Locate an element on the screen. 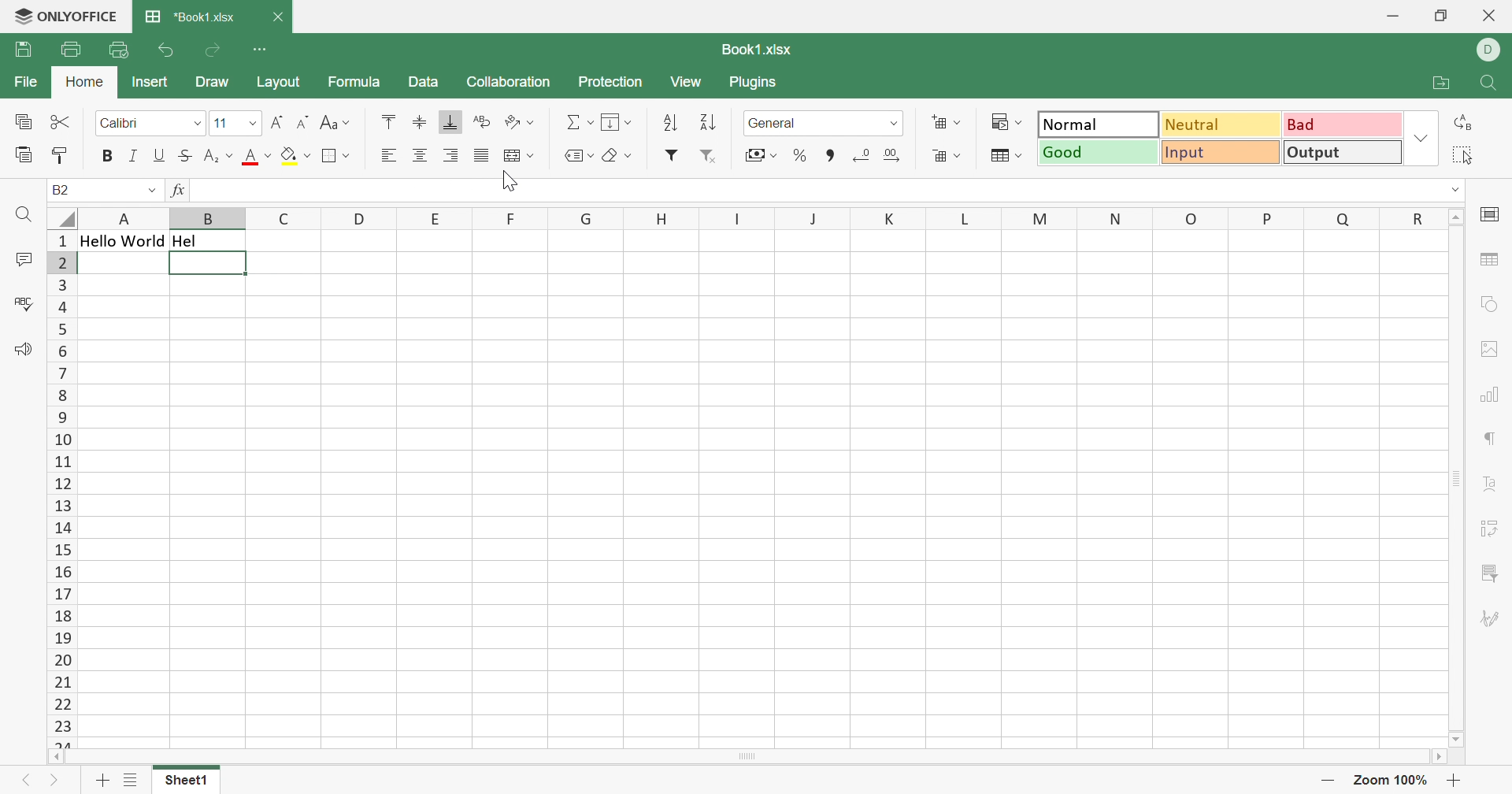  Scroll down is located at coordinates (1458, 739).